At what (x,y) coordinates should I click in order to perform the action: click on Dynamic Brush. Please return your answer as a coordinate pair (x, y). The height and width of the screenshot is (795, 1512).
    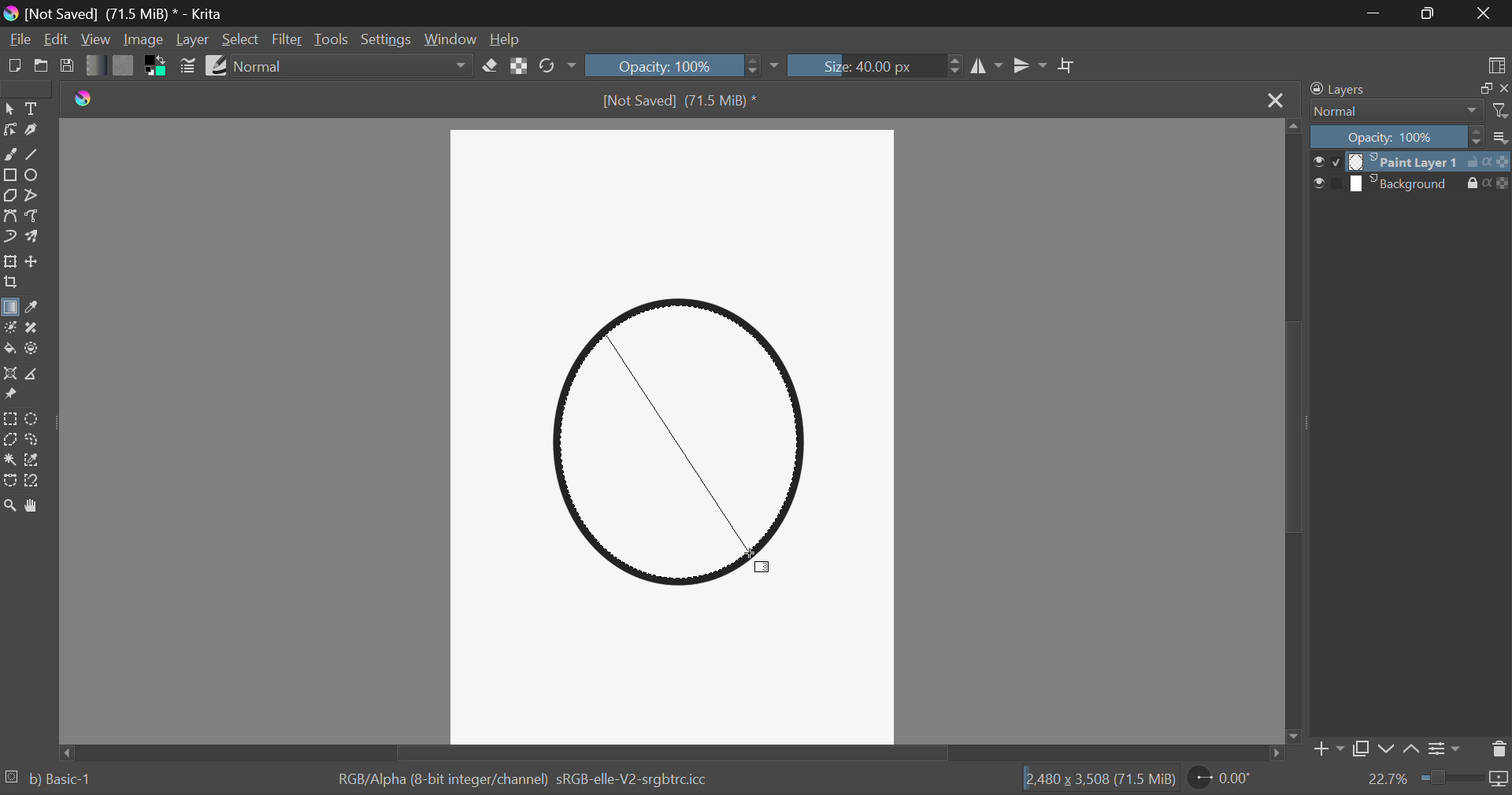
    Looking at the image, I should click on (10, 238).